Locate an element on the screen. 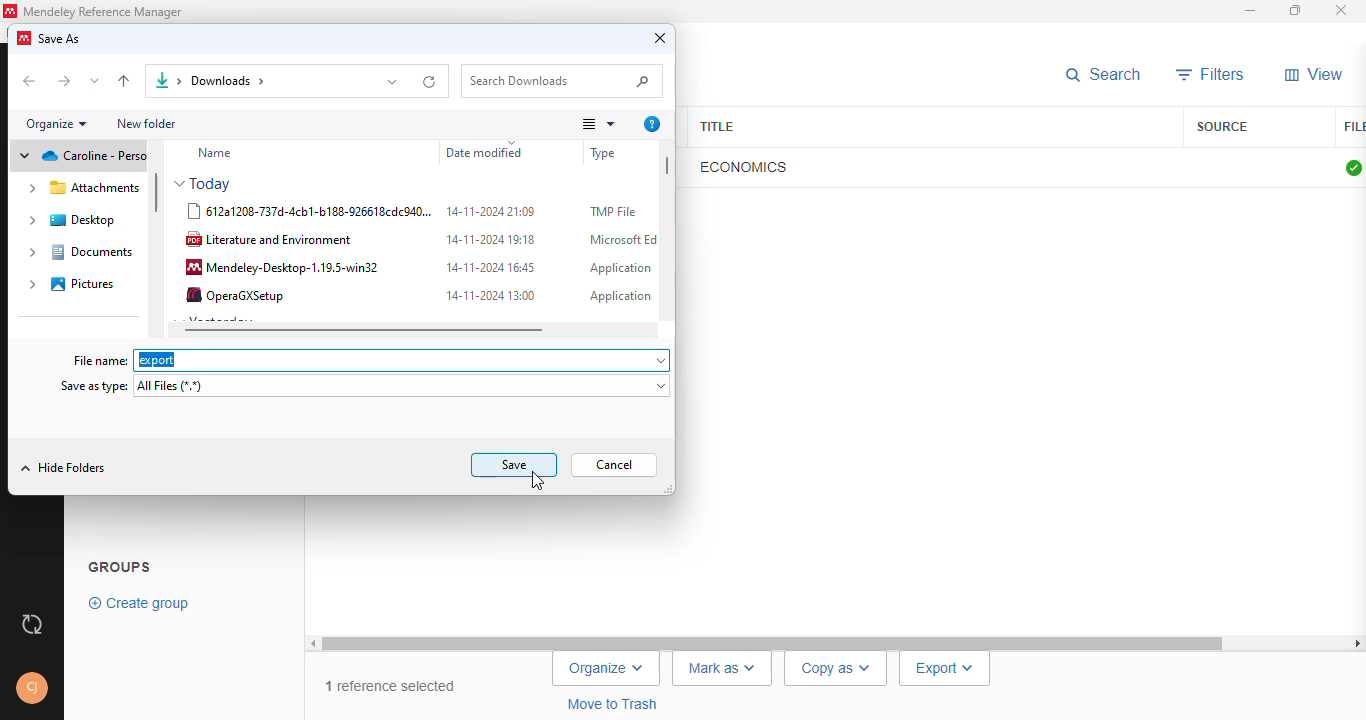 This screenshot has width=1366, height=720. vertical scroll bar is located at coordinates (669, 167).